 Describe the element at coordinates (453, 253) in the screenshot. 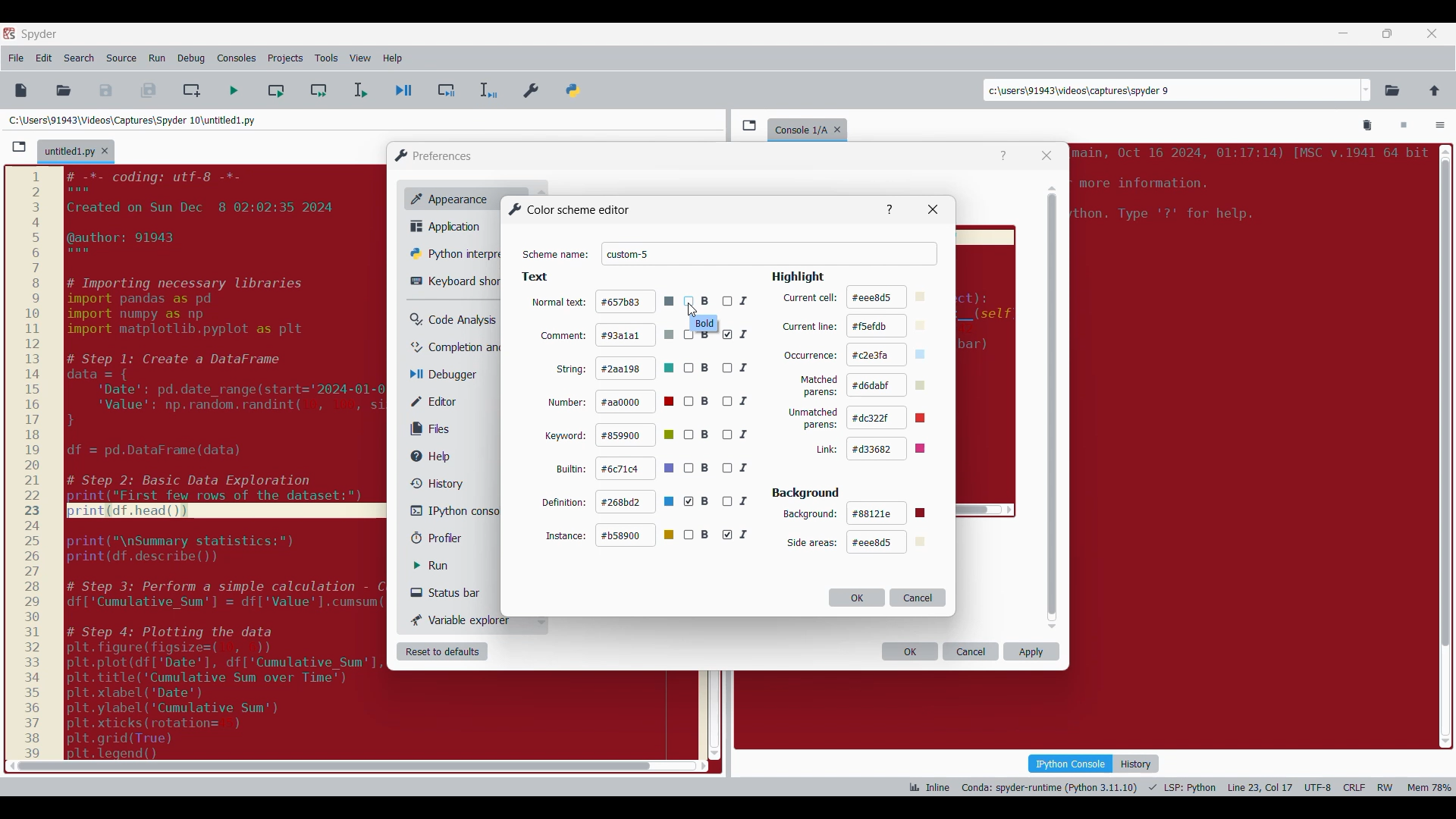

I see `Python interpreter` at that location.